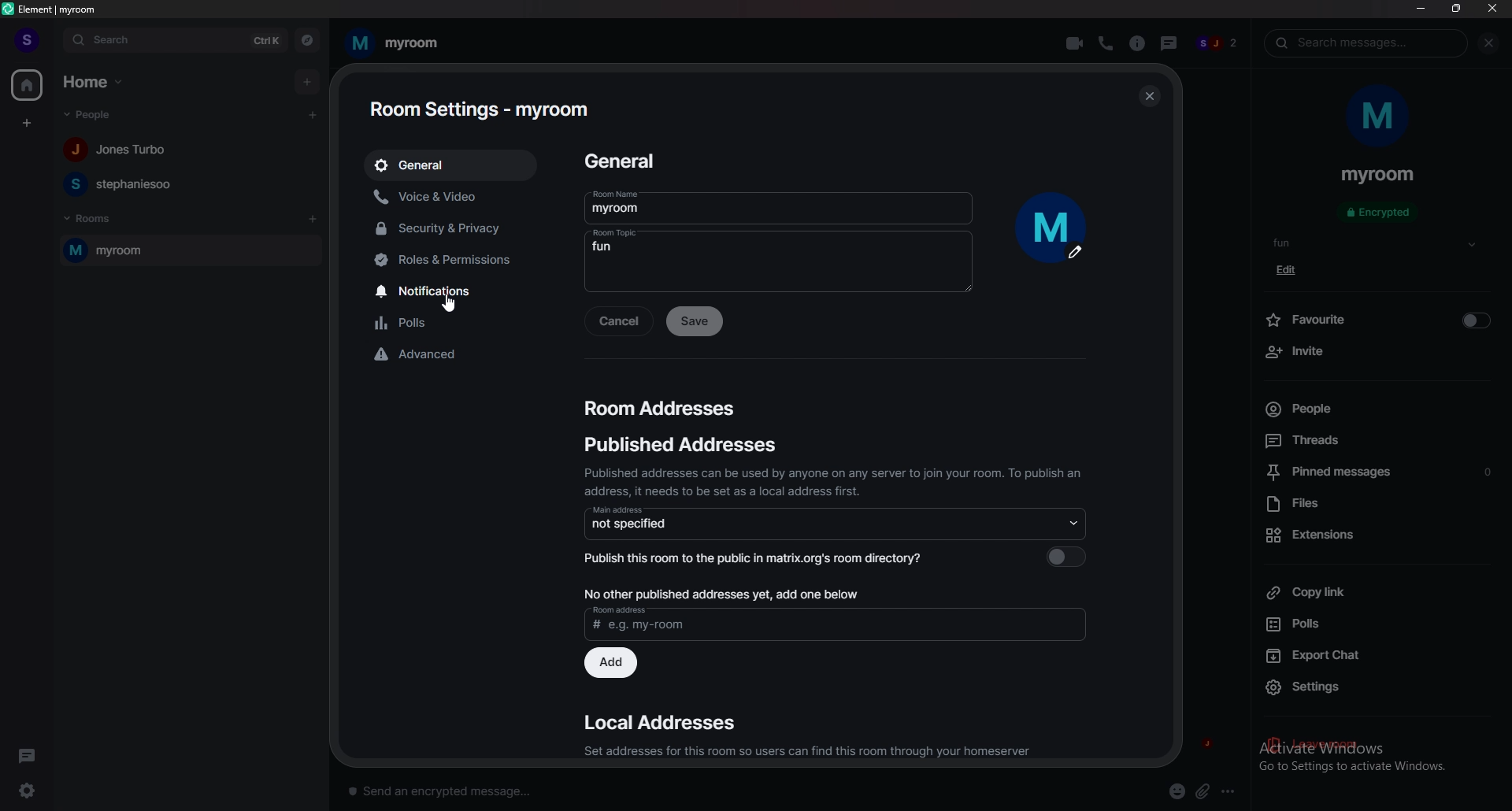 The image size is (1512, 811). Describe the element at coordinates (696, 321) in the screenshot. I see `save` at that location.